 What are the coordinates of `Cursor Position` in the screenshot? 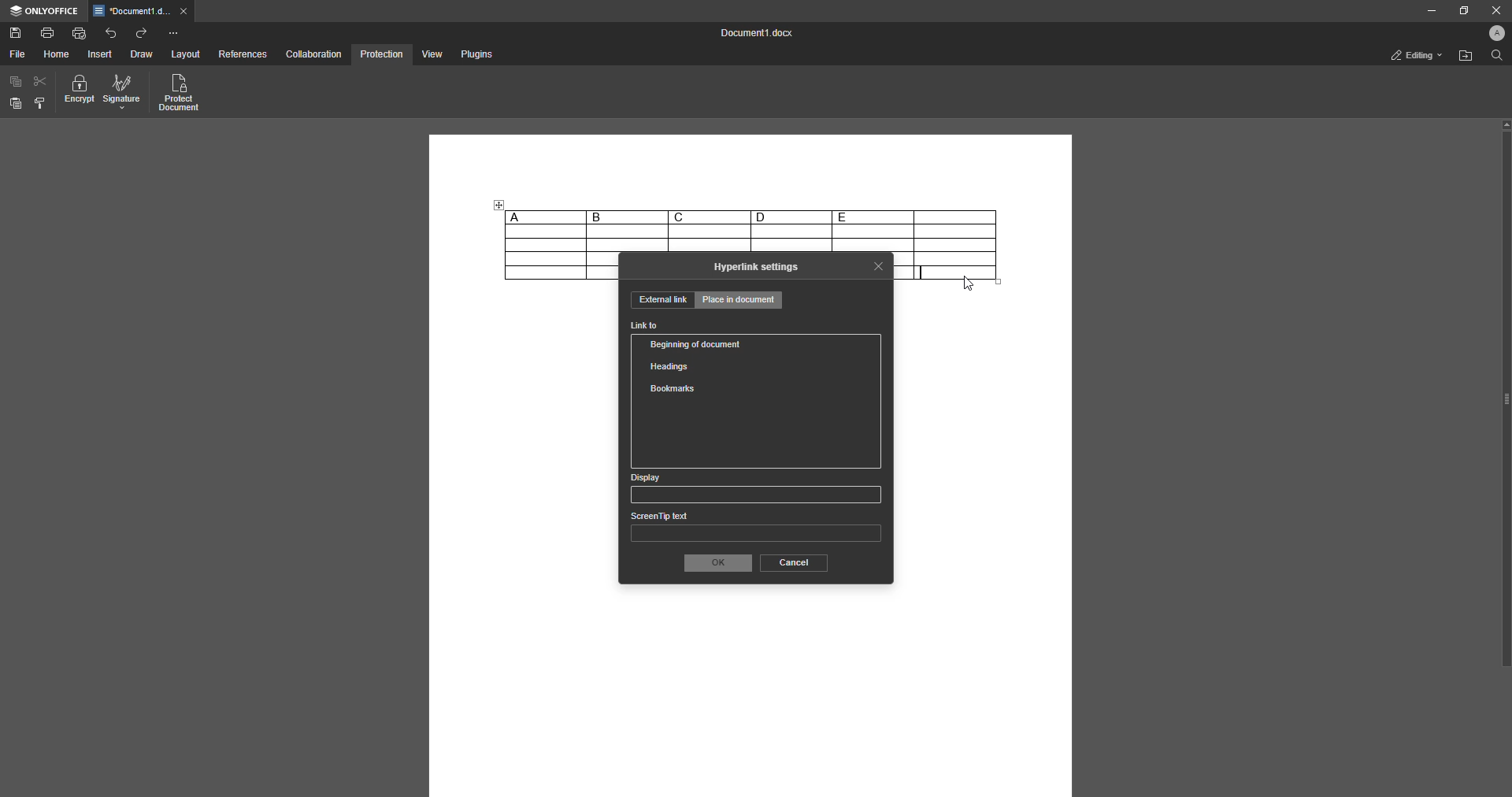 It's located at (968, 284).